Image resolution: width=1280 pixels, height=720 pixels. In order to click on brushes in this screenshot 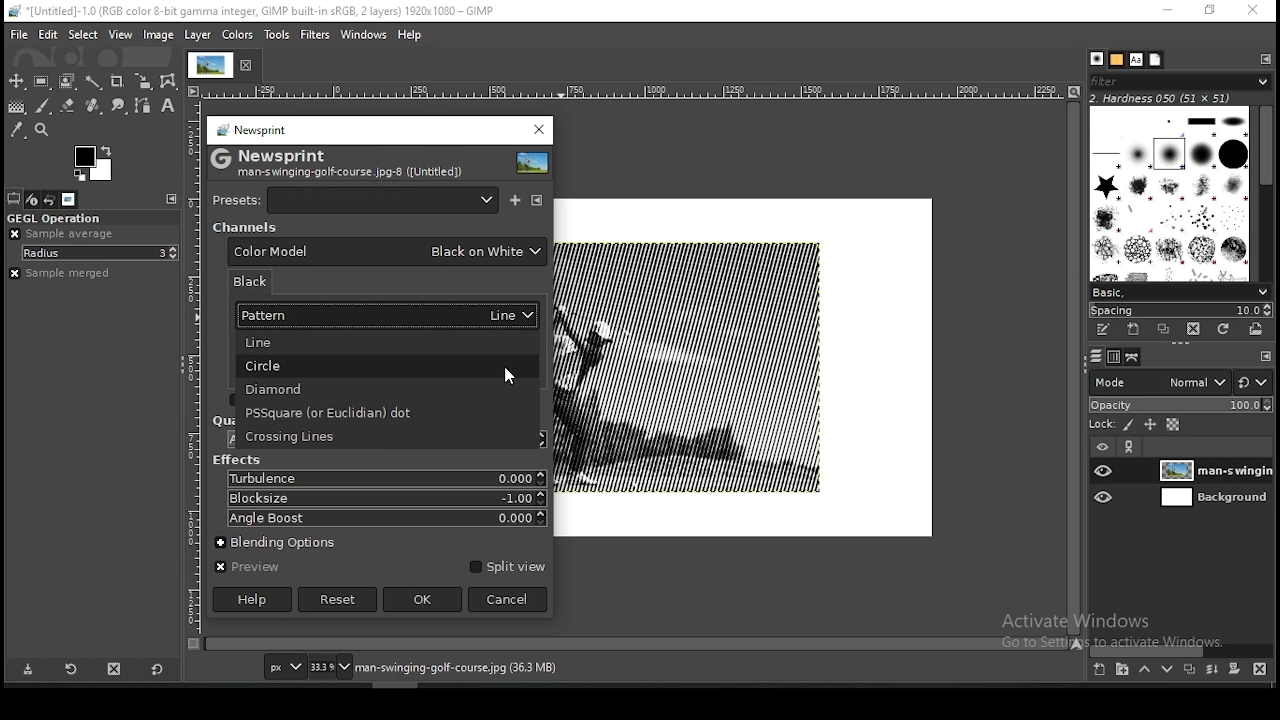, I will do `click(1169, 193)`.